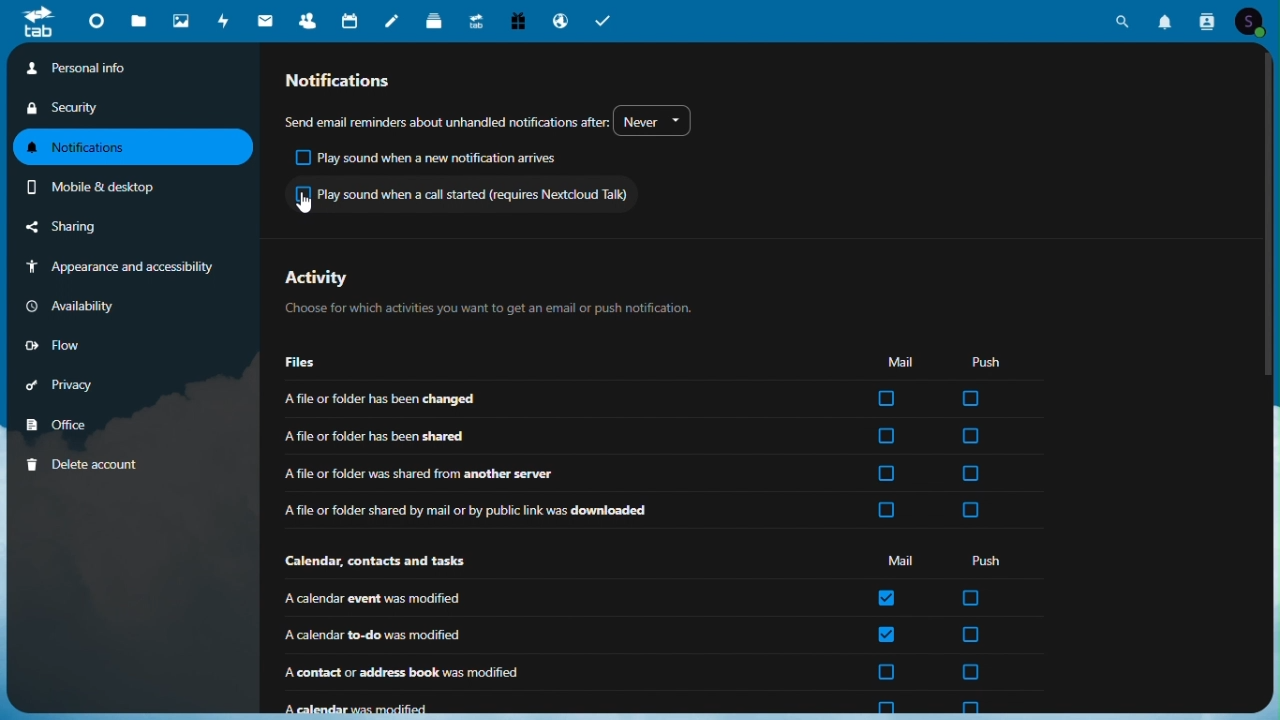 Image resolution: width=1280 pixels, height=720 pixels. What do you see at coordinates (887, 597) in the screenshot?
I see `check box` at bounding box center [887, 597].